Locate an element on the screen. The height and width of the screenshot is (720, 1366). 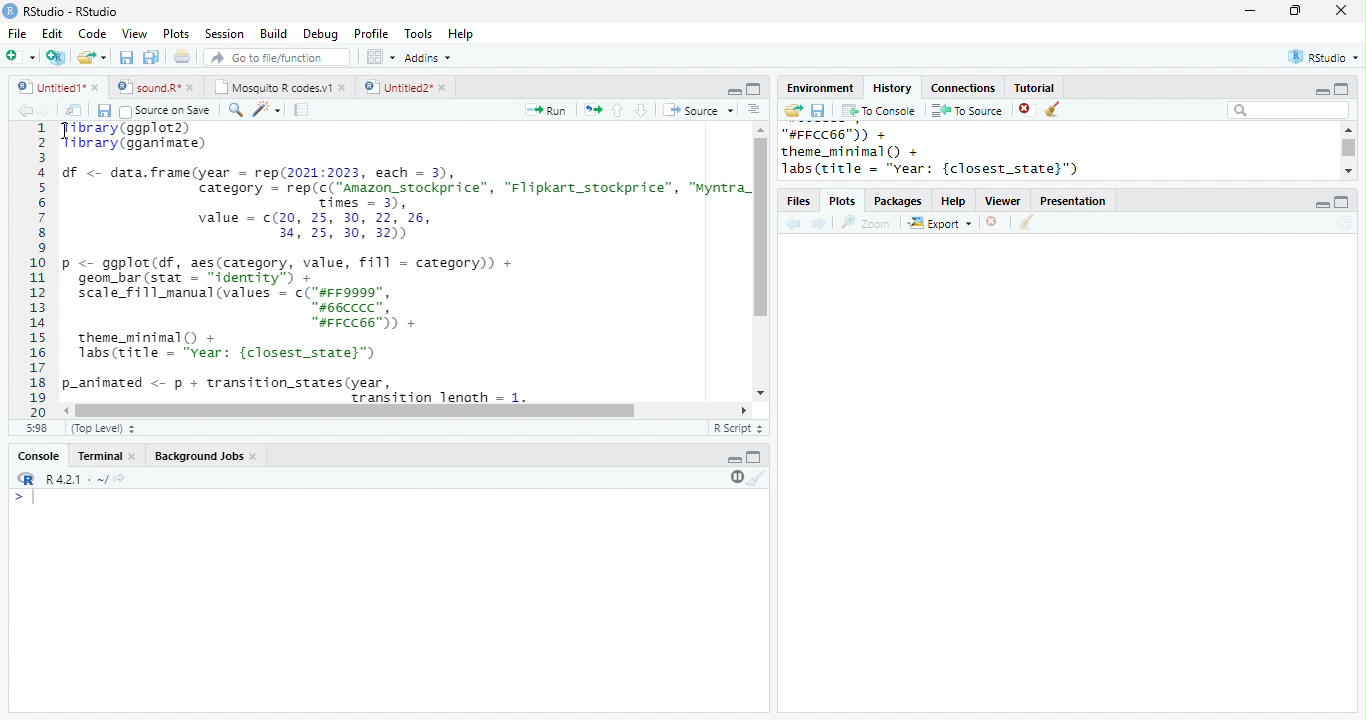
options is located at coordinates (752, 109).